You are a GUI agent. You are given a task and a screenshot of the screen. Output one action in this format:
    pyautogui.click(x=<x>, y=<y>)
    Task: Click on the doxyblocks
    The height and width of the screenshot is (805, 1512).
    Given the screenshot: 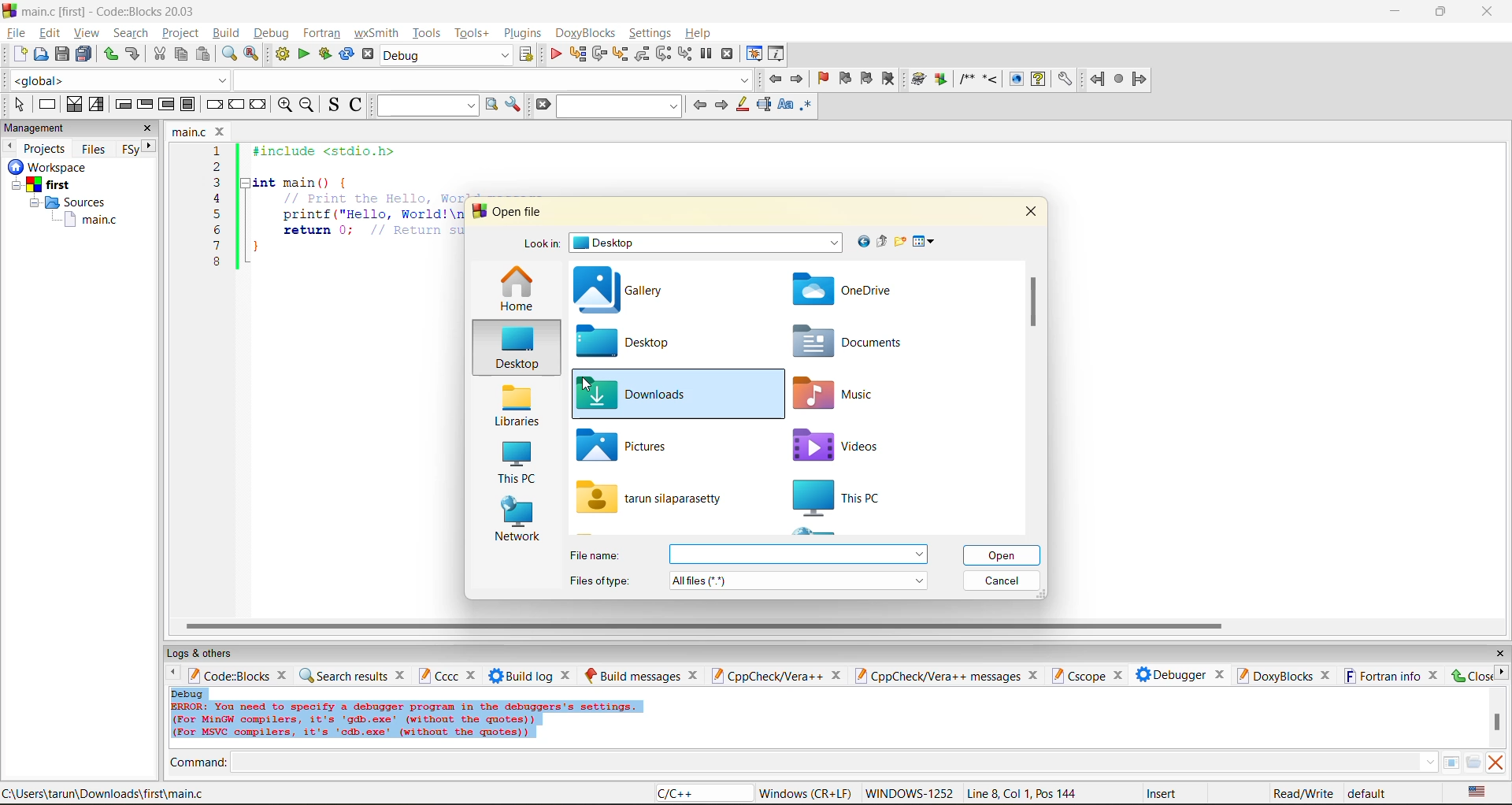 What is the action you would take?
    pyautogui.click(x=588, y=33)
    